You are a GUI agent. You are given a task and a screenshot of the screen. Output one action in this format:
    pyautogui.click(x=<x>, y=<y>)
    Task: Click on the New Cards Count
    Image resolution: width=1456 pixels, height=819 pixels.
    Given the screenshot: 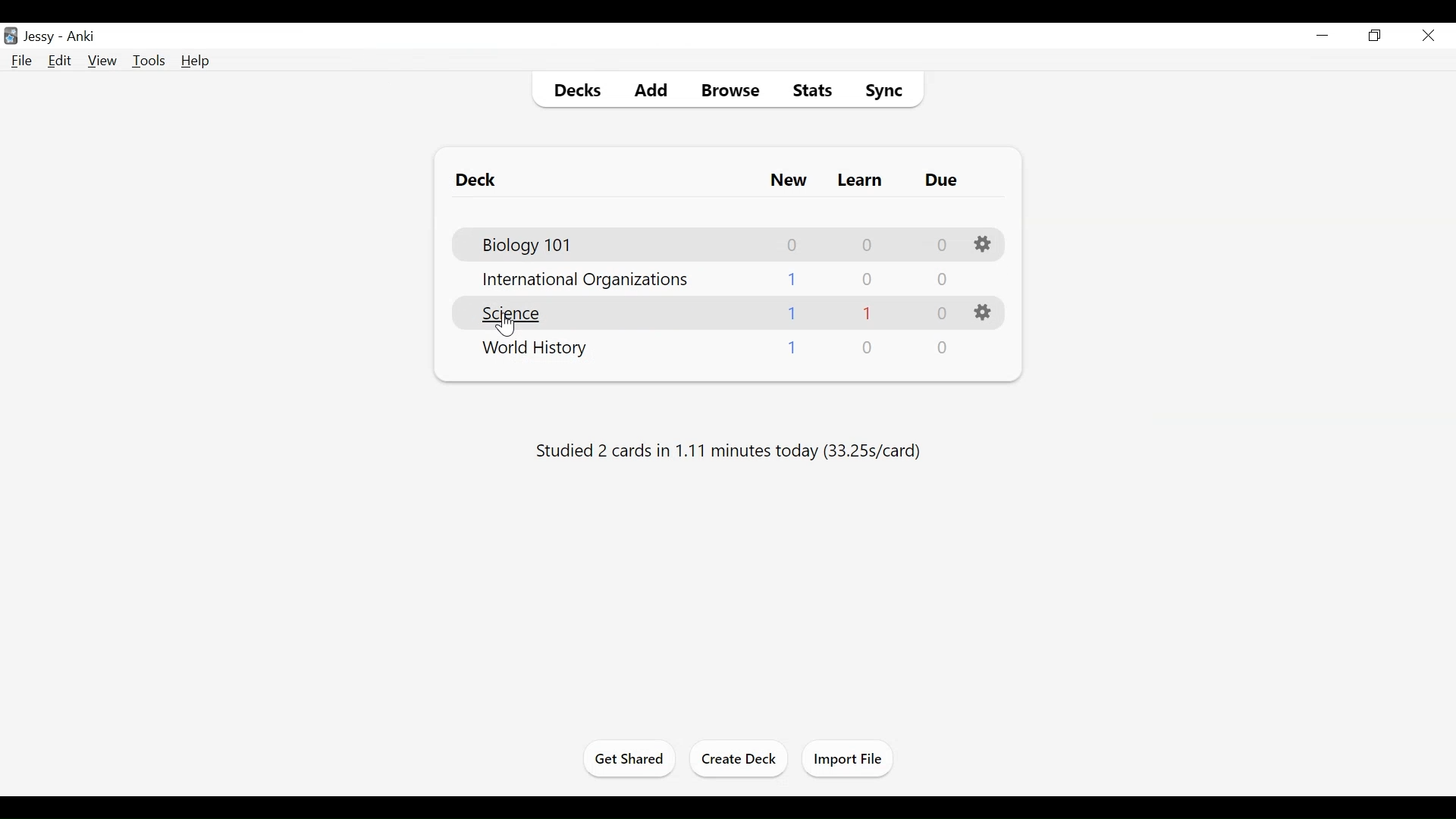 What is the action you would take?
    pyautogui.click(x=793, y=279)
    